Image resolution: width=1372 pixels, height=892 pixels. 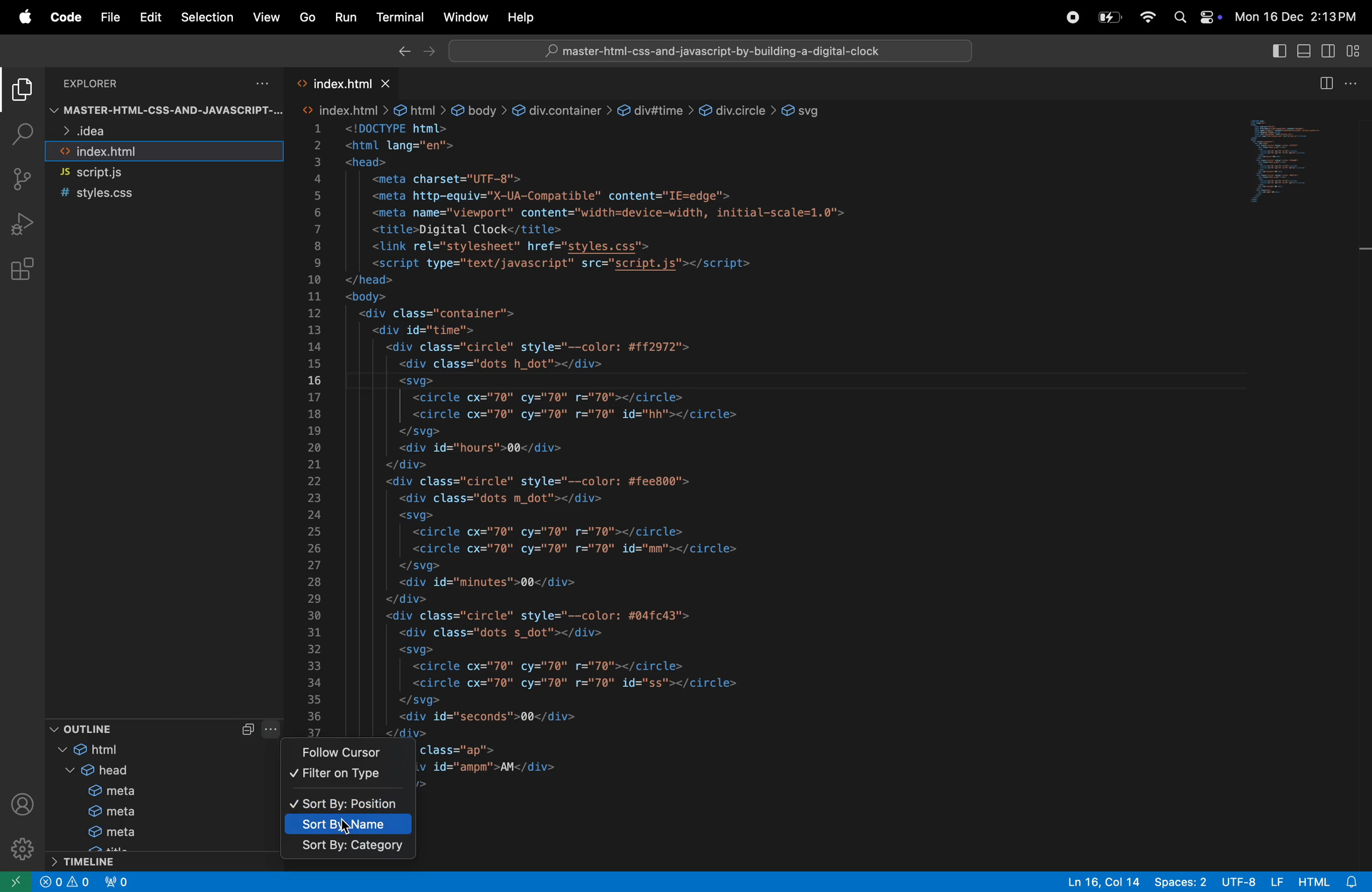 I want to click on Backward, so click(x=402, y=51).